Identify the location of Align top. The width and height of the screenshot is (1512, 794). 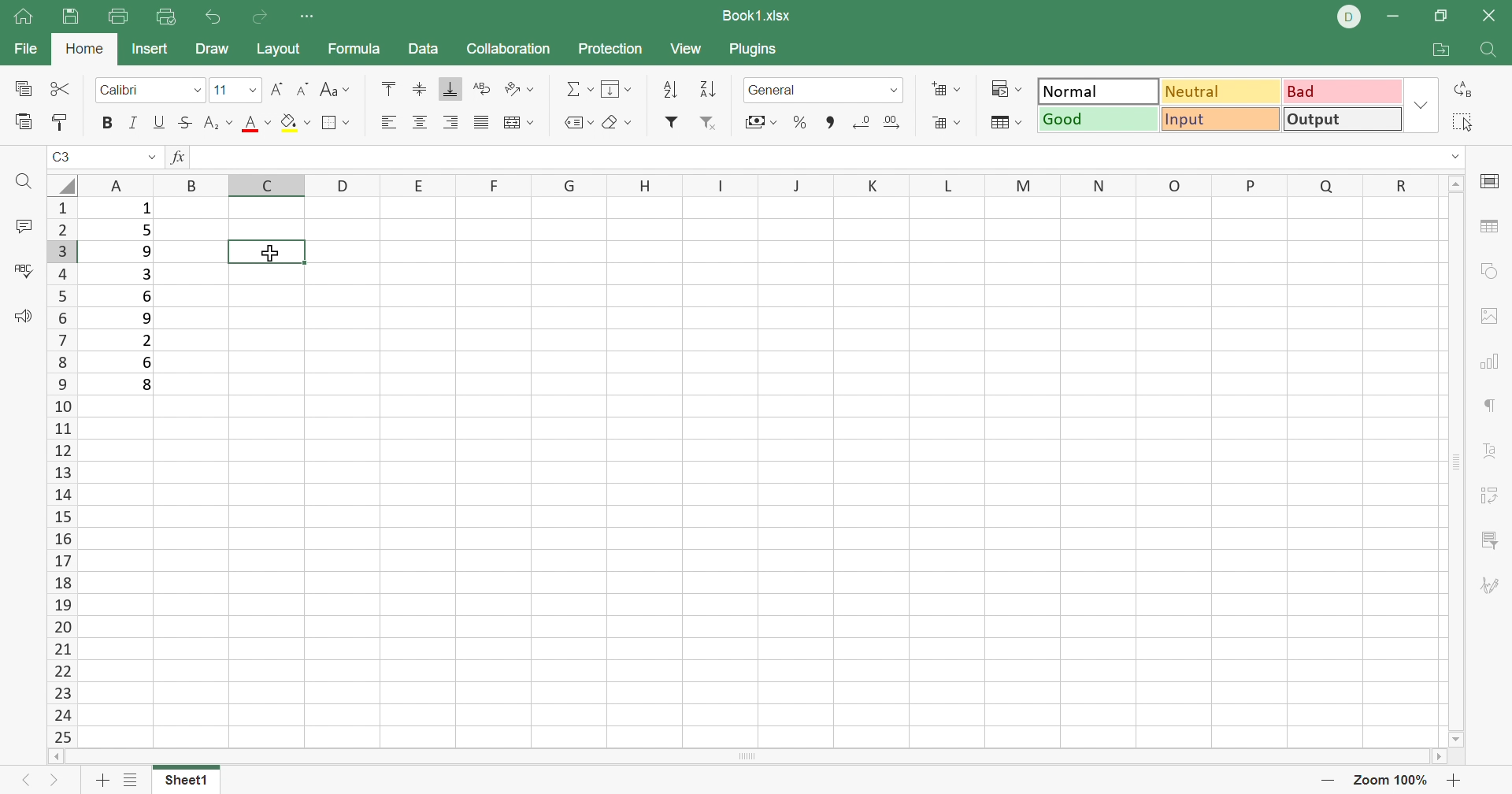
(387, 87).